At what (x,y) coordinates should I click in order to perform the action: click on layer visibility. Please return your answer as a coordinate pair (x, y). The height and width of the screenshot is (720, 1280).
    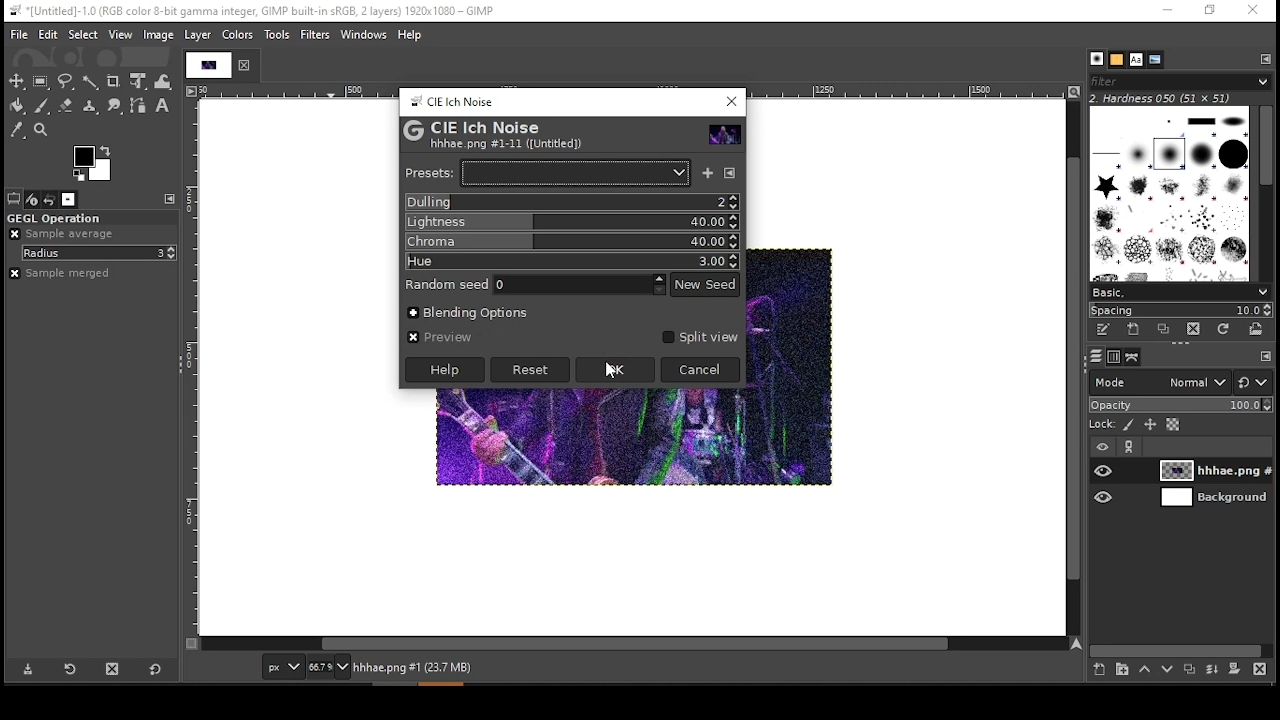
    Looking at the image, I should click on (1103, 446).